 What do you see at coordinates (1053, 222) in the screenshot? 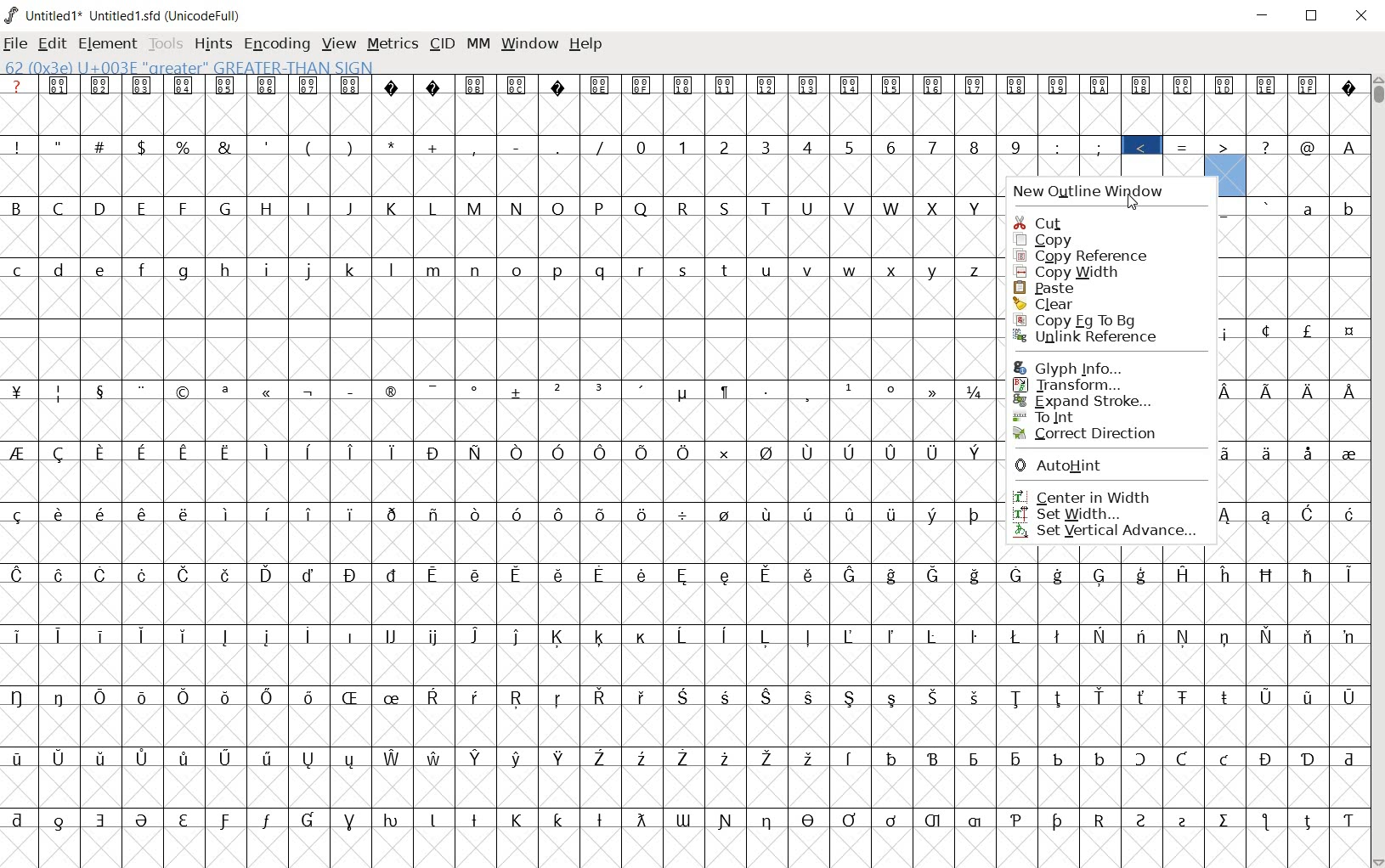
I see `cut` at bounding box center [1053, 222].